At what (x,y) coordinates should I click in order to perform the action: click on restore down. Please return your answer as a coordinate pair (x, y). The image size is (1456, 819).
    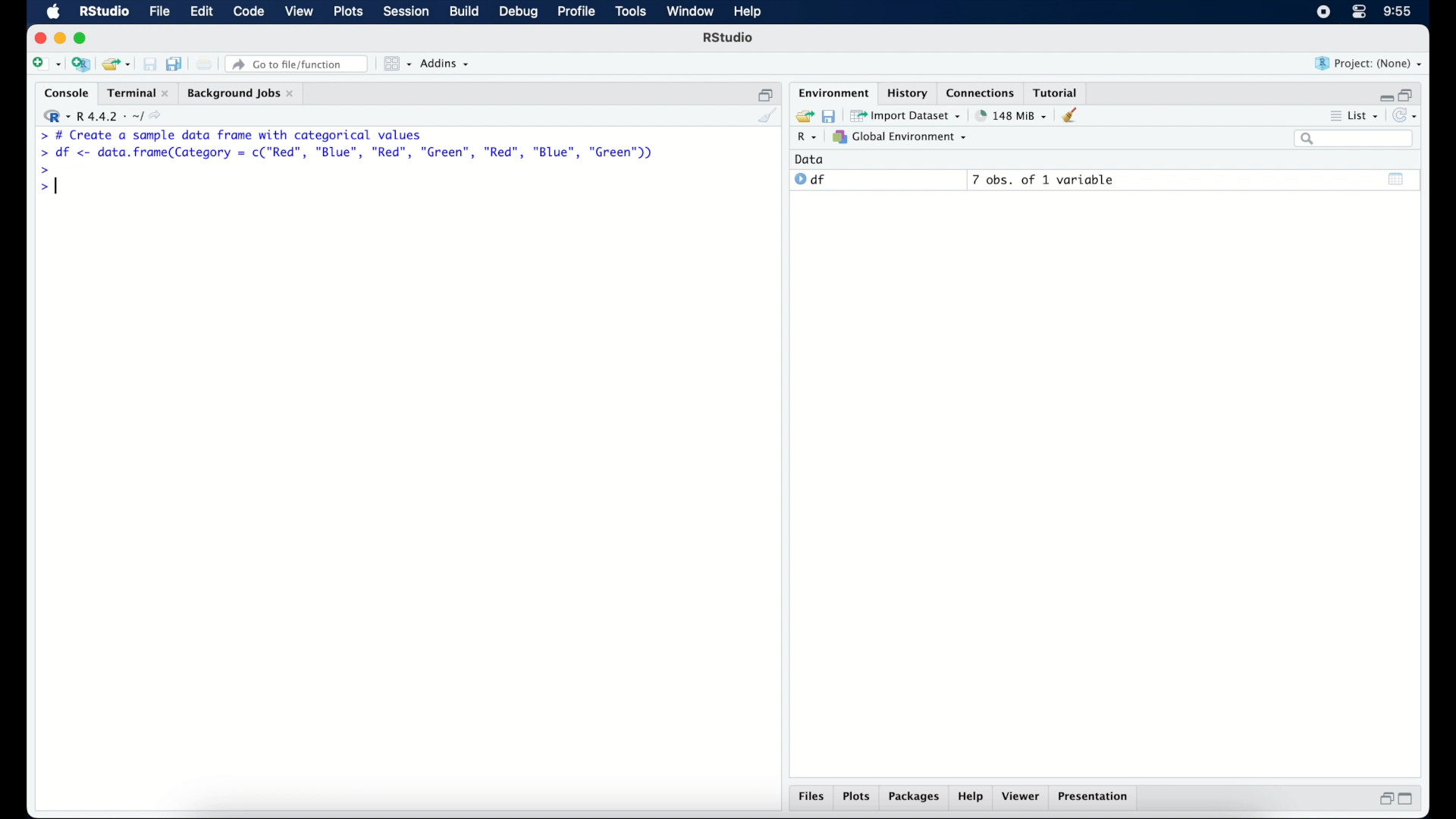
    Looking at the image, I should click on (764, 92).